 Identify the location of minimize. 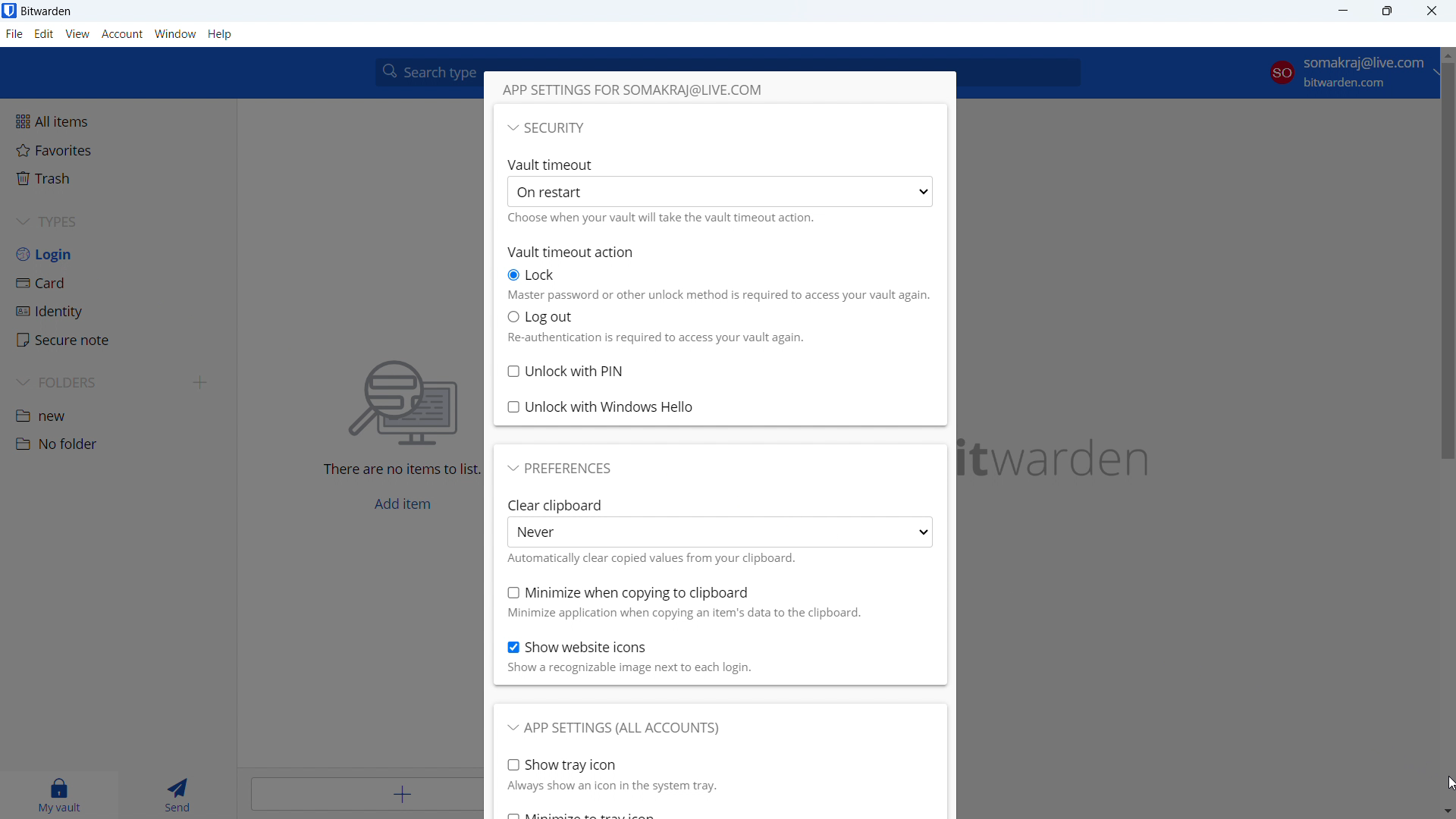
(1342, 11).